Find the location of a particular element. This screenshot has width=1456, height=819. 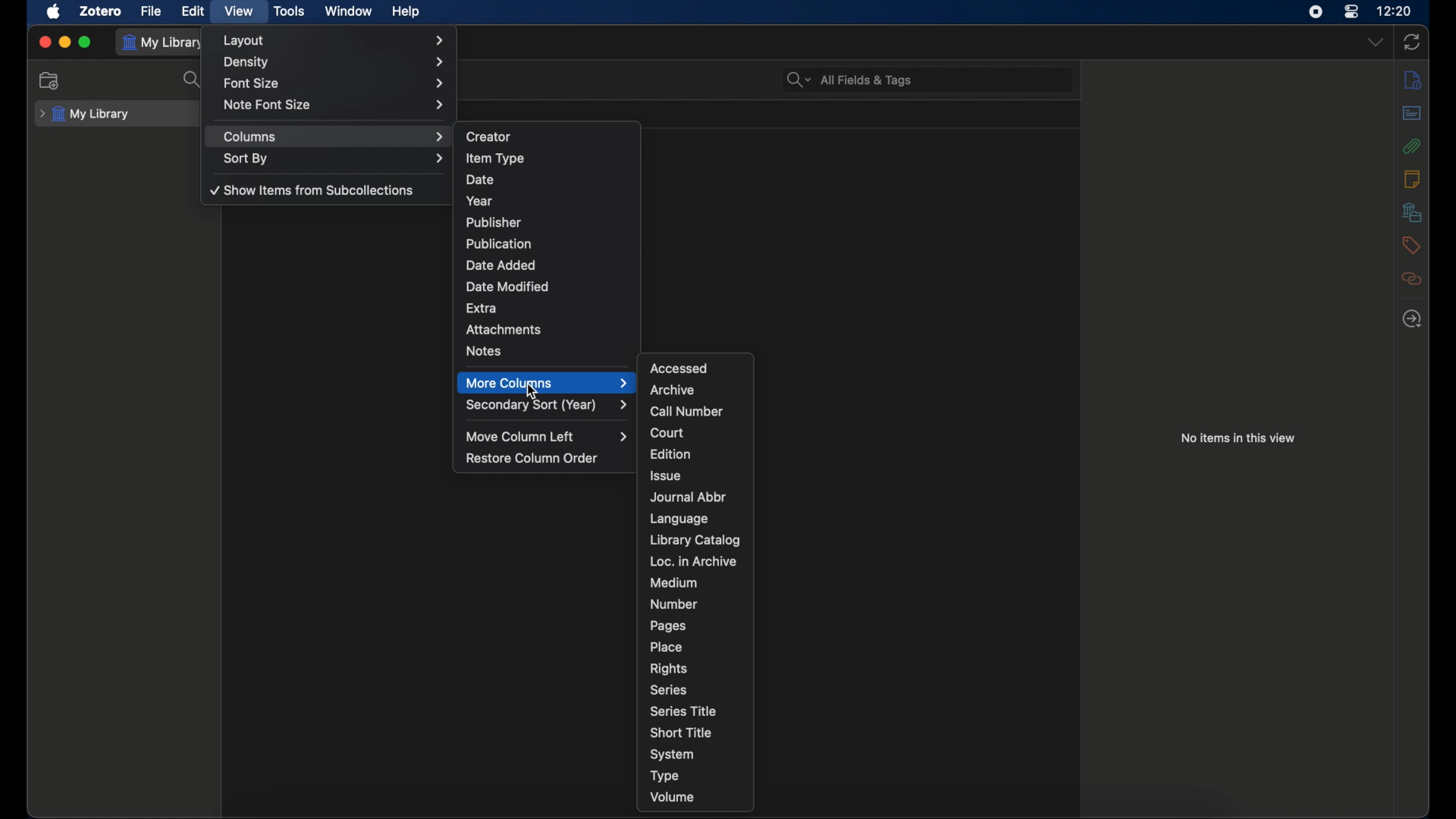

no items in this view is located at coordinates (1238, 438).